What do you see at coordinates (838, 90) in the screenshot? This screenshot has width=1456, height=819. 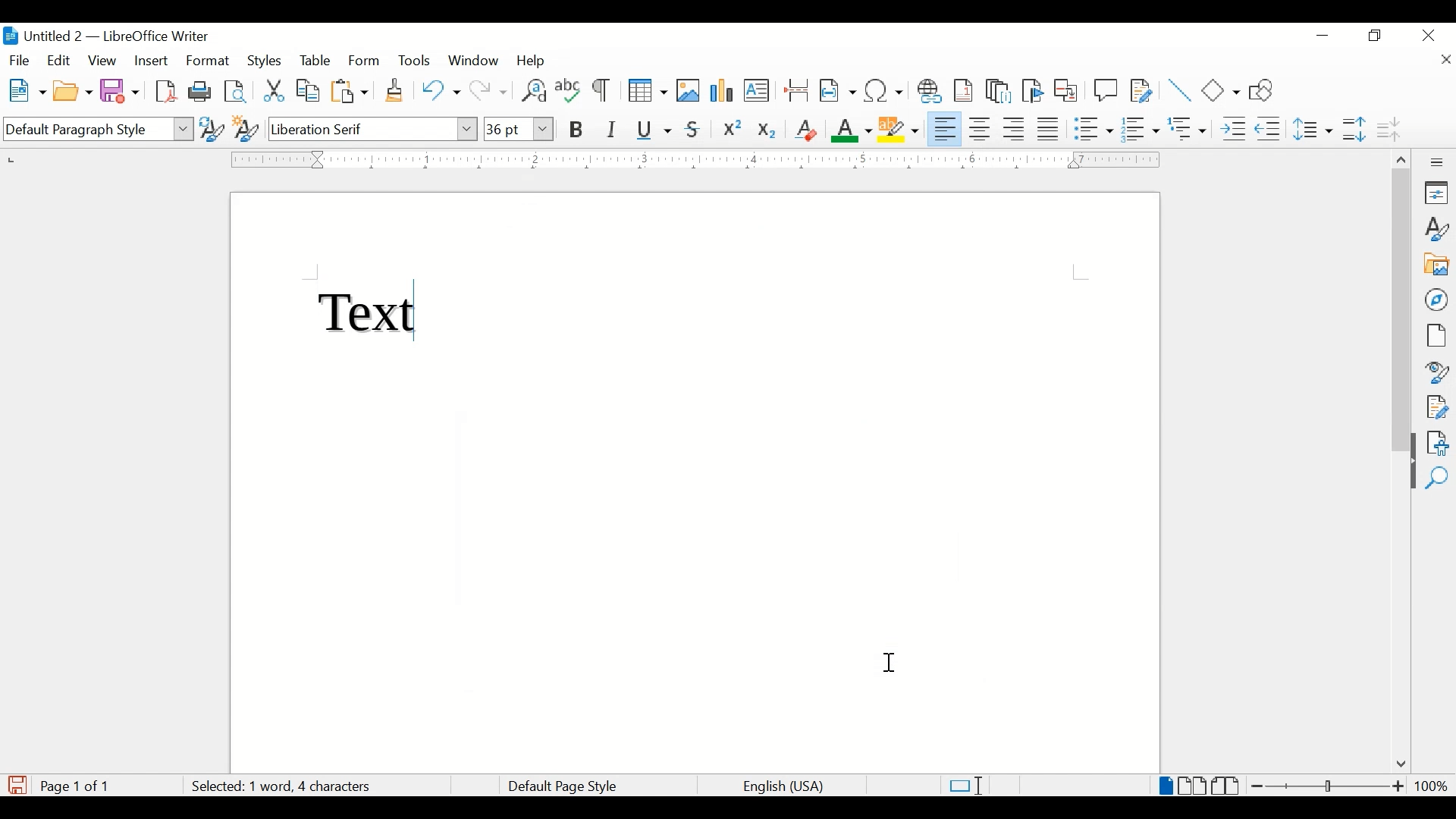 I see `insert field` at bounding box center [838, 90].